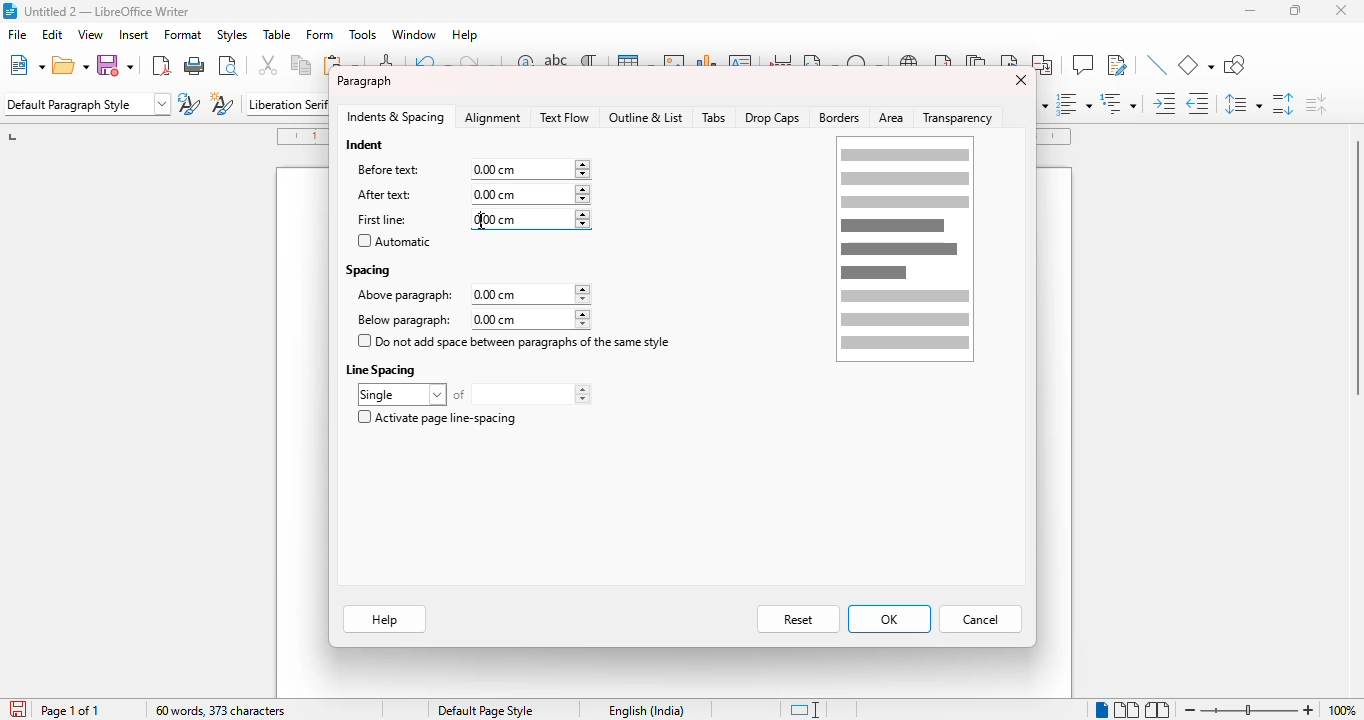  What do you see at coordinates (515, 341) in the screenshot?
I see `do not add space between paragraphs of the same style` at bounding box center [515, 341].